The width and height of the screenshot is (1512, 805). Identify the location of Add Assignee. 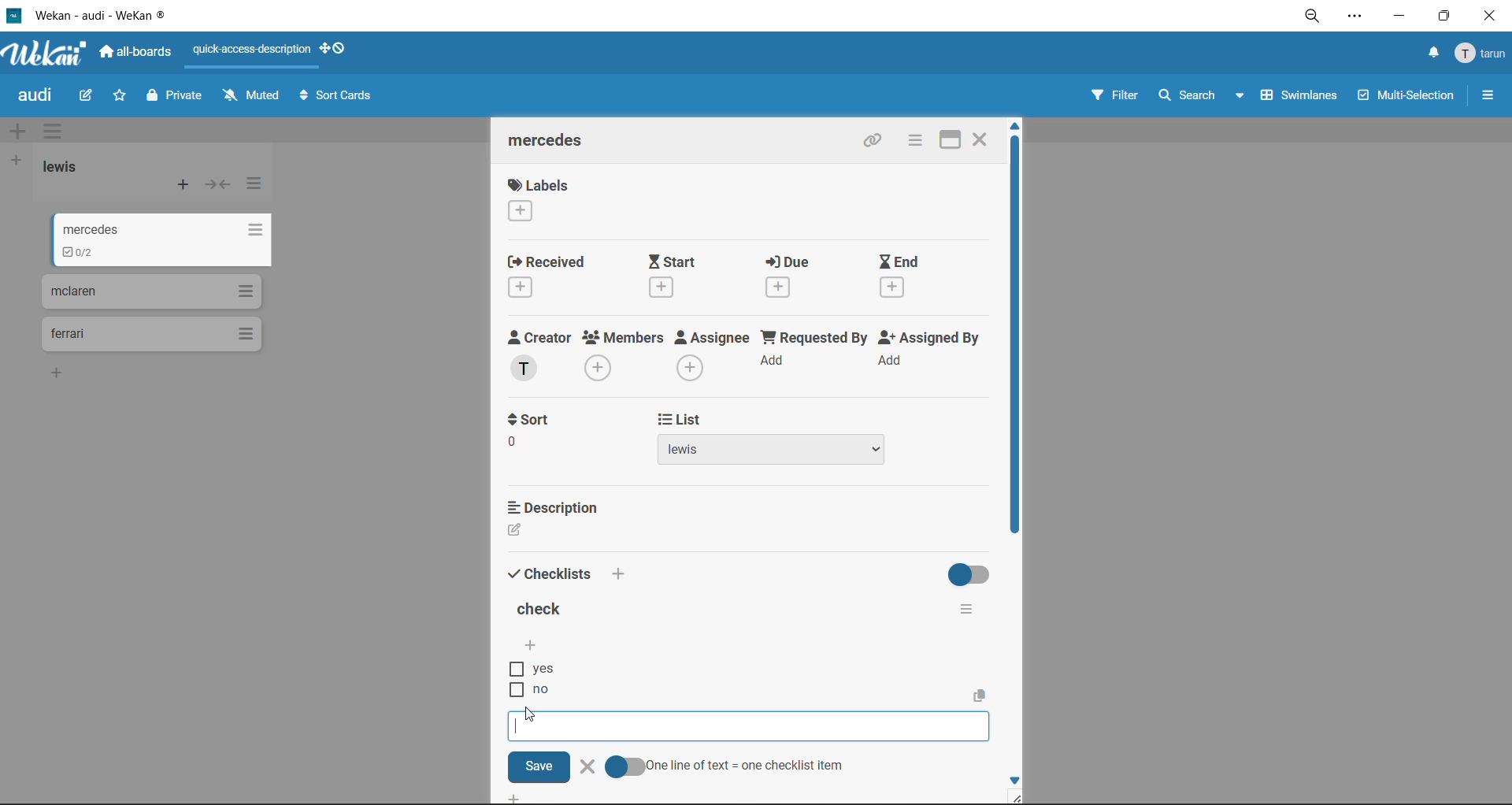
(692, 366).